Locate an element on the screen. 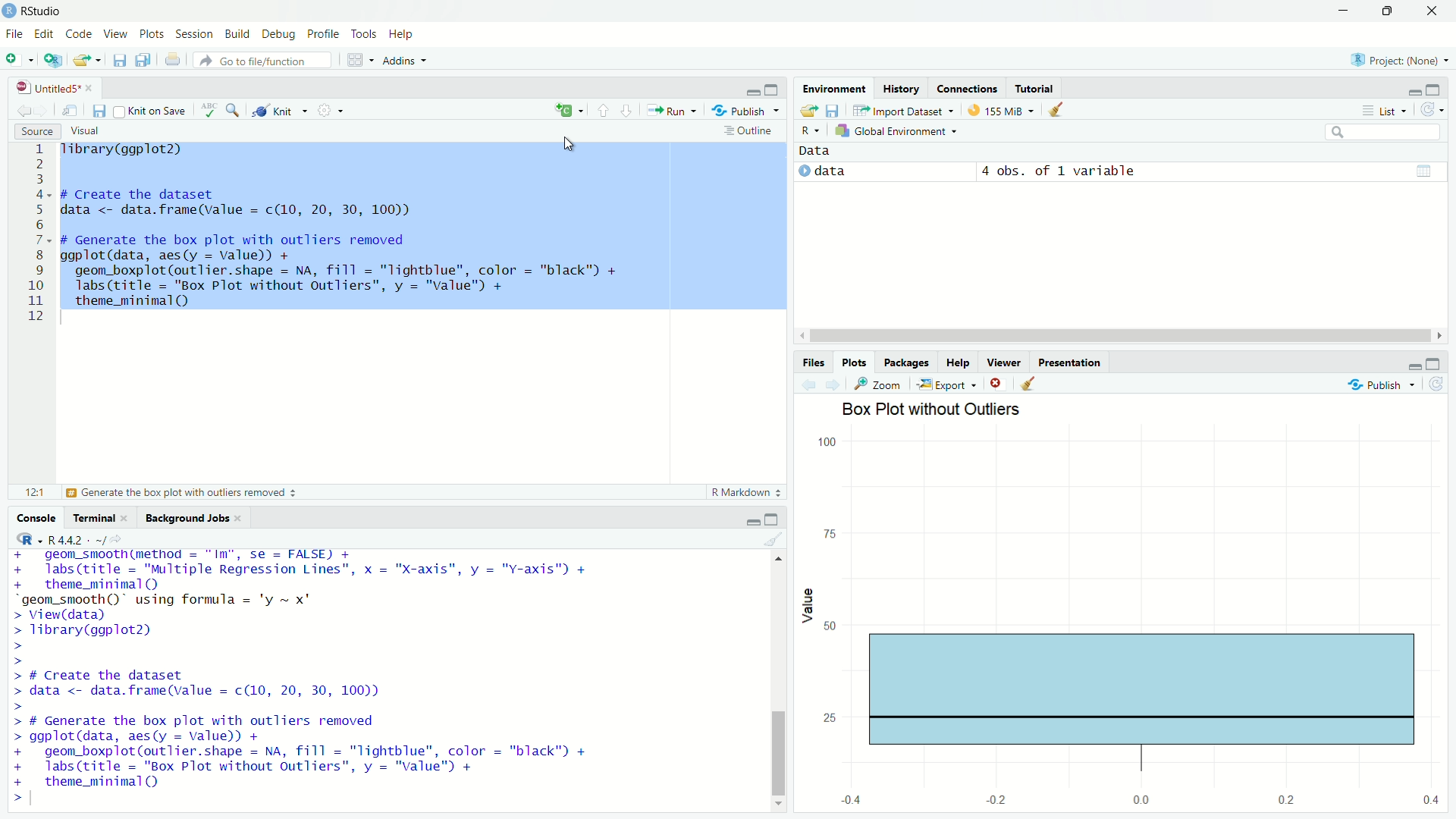 This screenshot has width=1456, height=819. minimise is located at coordinates (1405, 90).